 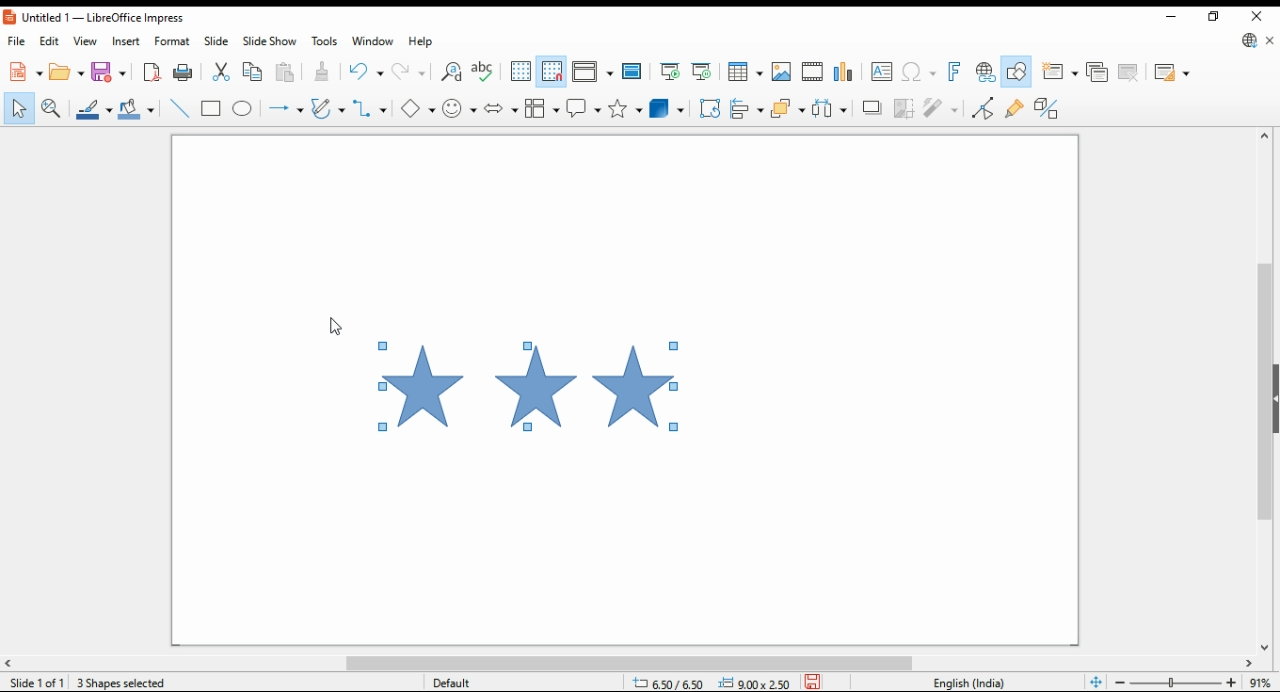 I want to click on master slide, so click(x=633, y=71).